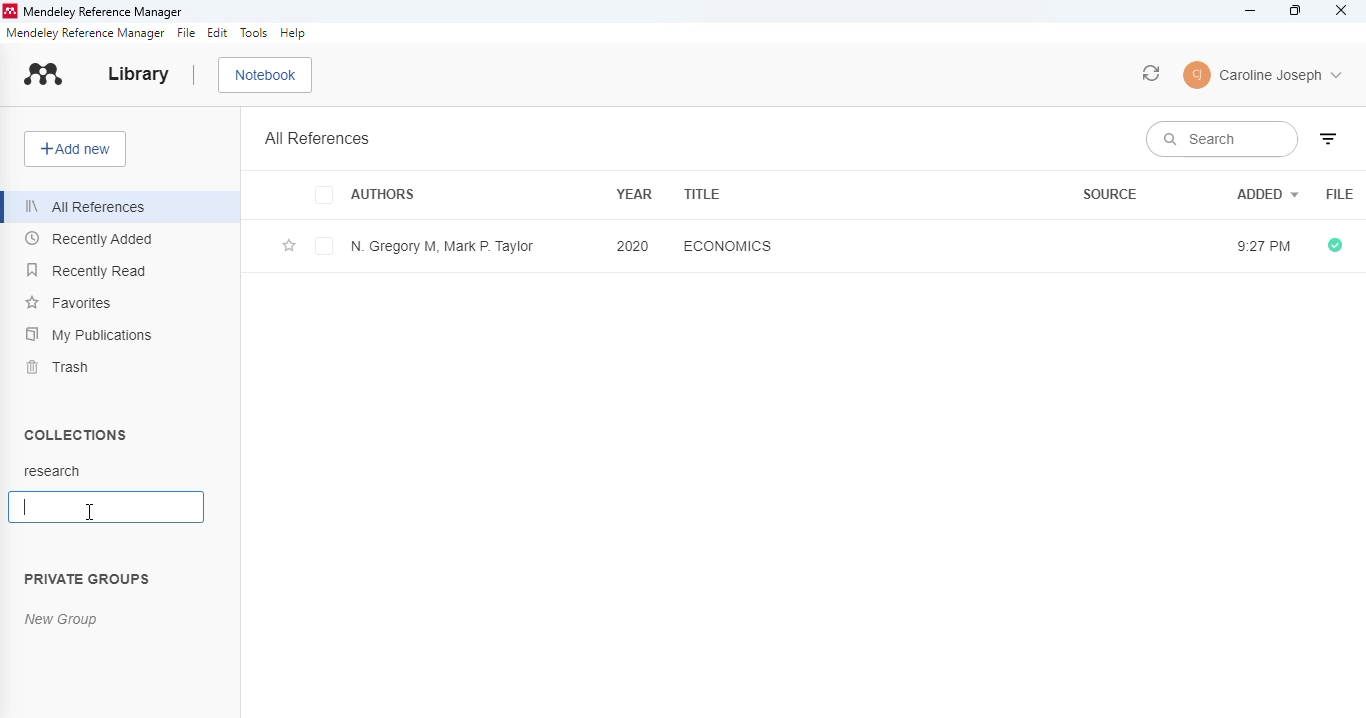  Describe the element at coordinates (187, 33) in the screenshot. I see `file` at that location.